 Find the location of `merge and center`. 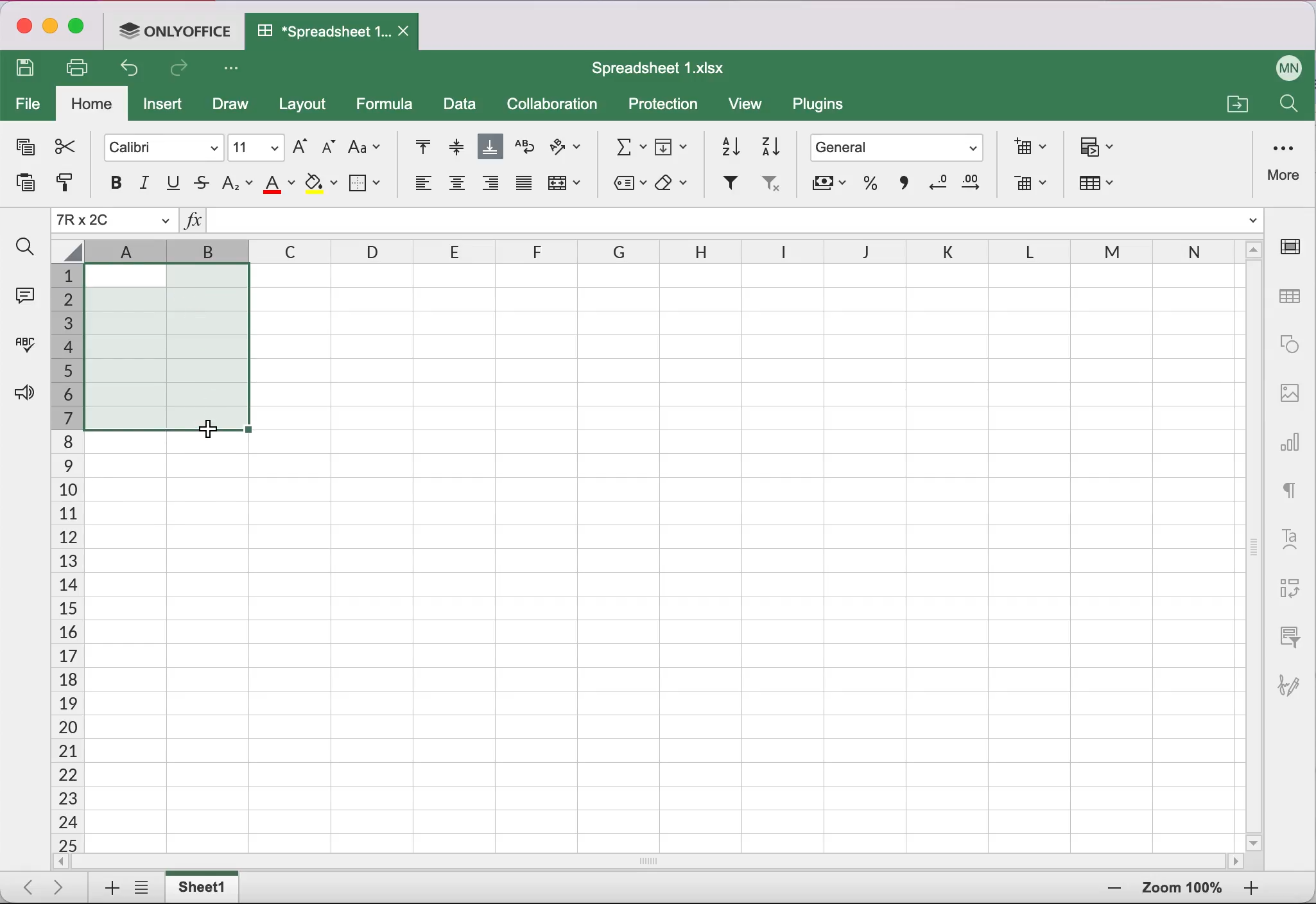

merge and center is located at coordinates (567, 187).